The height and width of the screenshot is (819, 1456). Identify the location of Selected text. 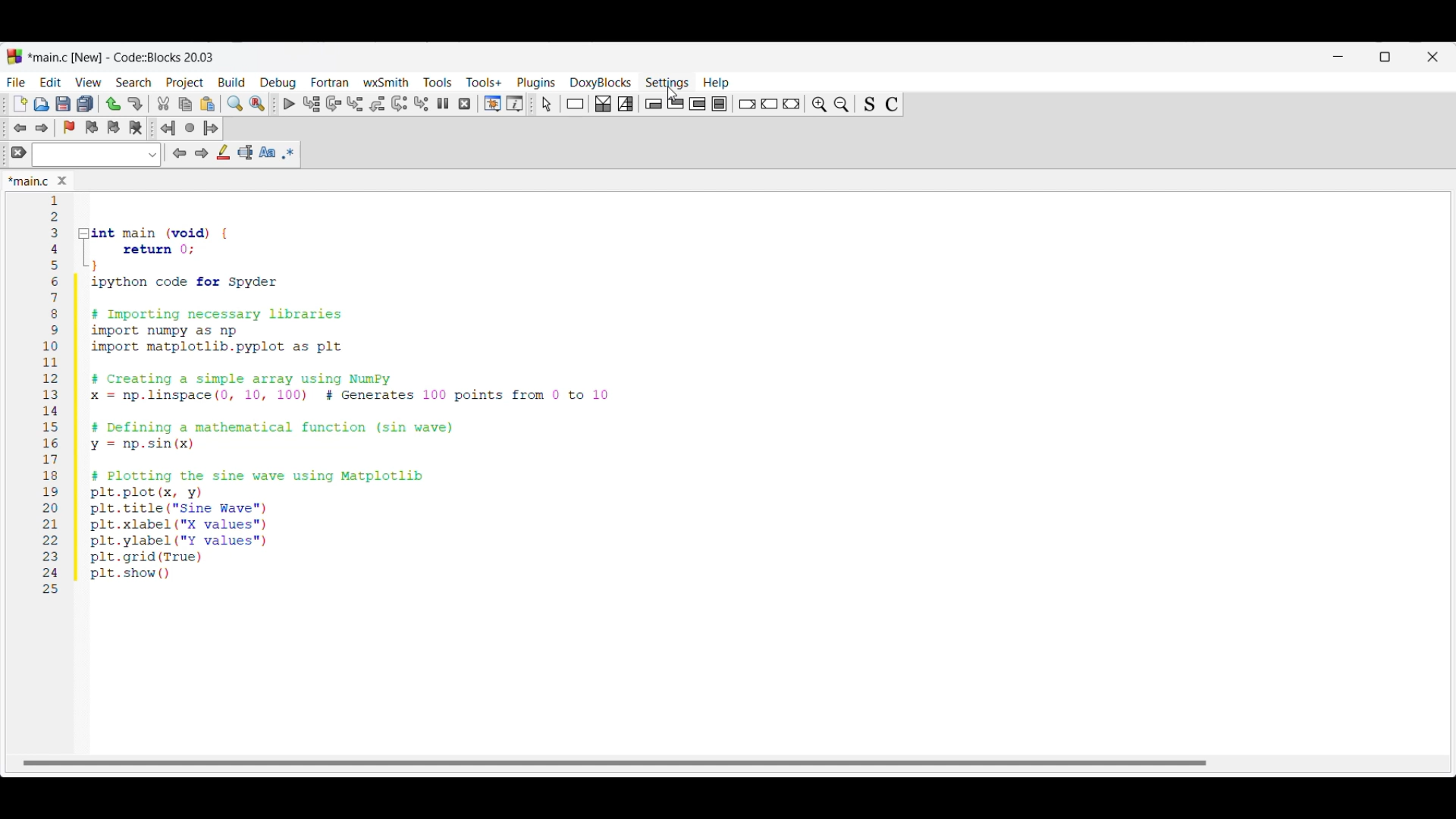
(246, 152).